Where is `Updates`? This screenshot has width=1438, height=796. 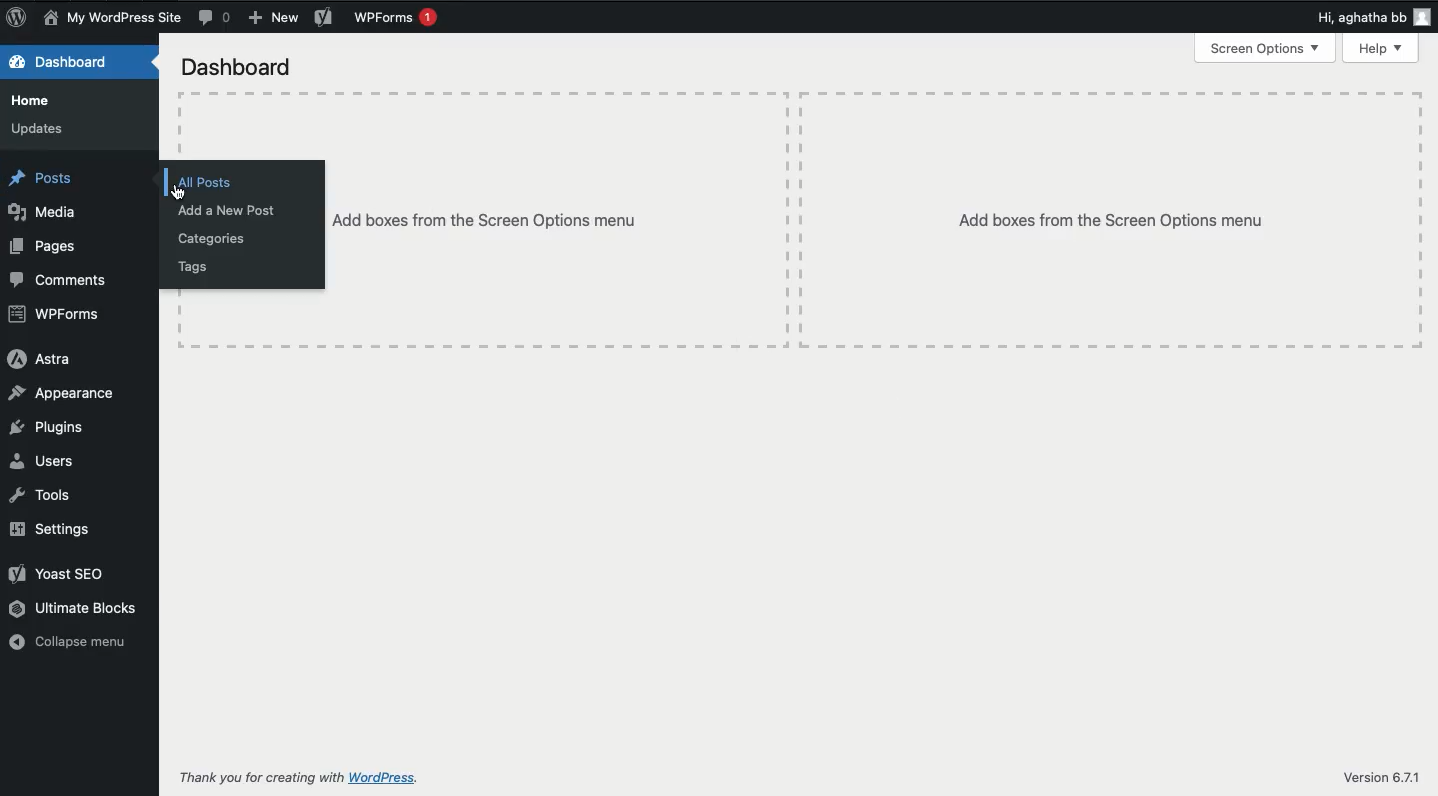
Updates is located at coordinates (39, 130).